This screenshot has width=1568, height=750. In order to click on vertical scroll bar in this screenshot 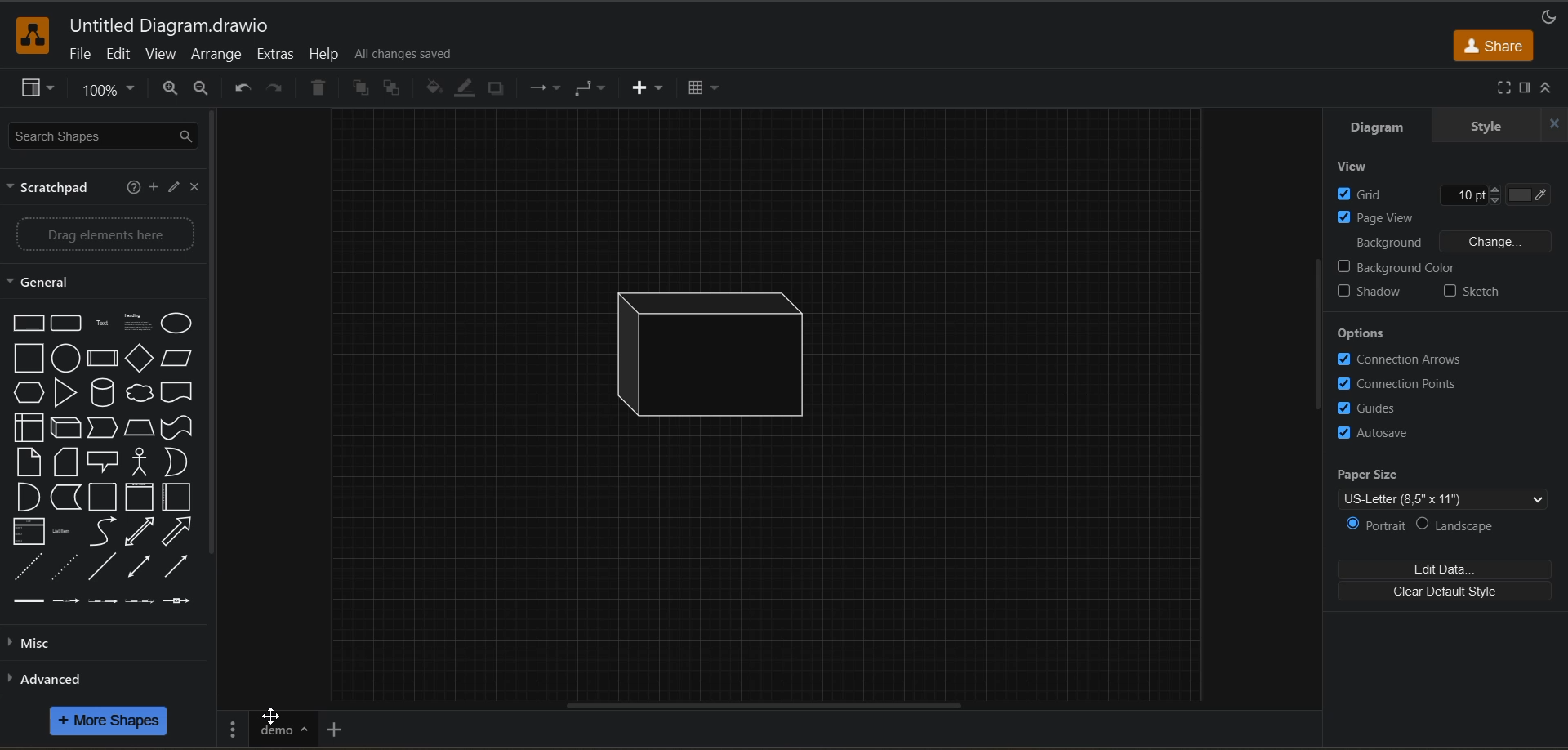, I will do `click(212, 334)`.